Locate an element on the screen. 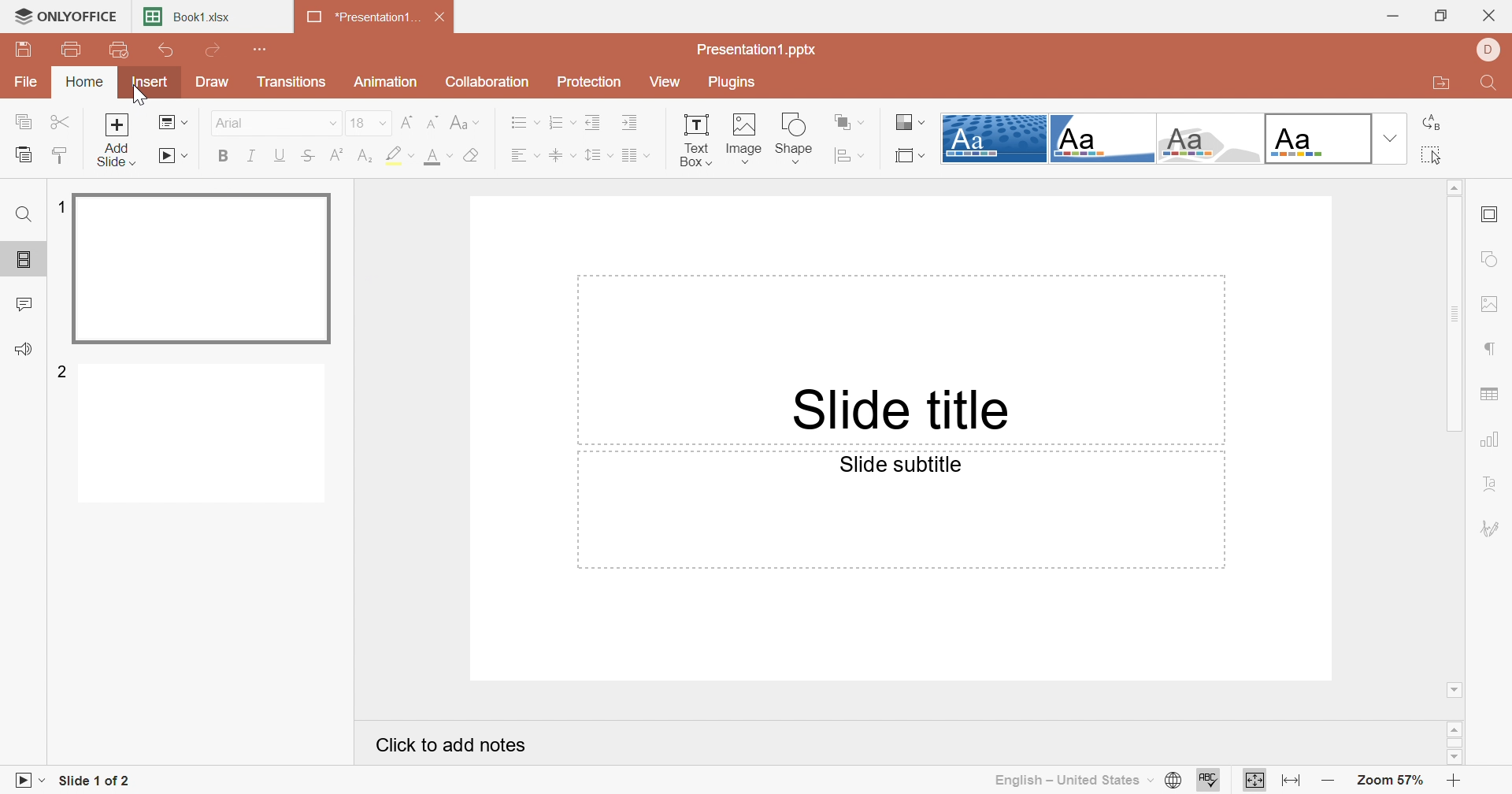 Image resolution: width=1512 pixels, height=794 pixels. Drop Down is located at coordinates (325, 125).